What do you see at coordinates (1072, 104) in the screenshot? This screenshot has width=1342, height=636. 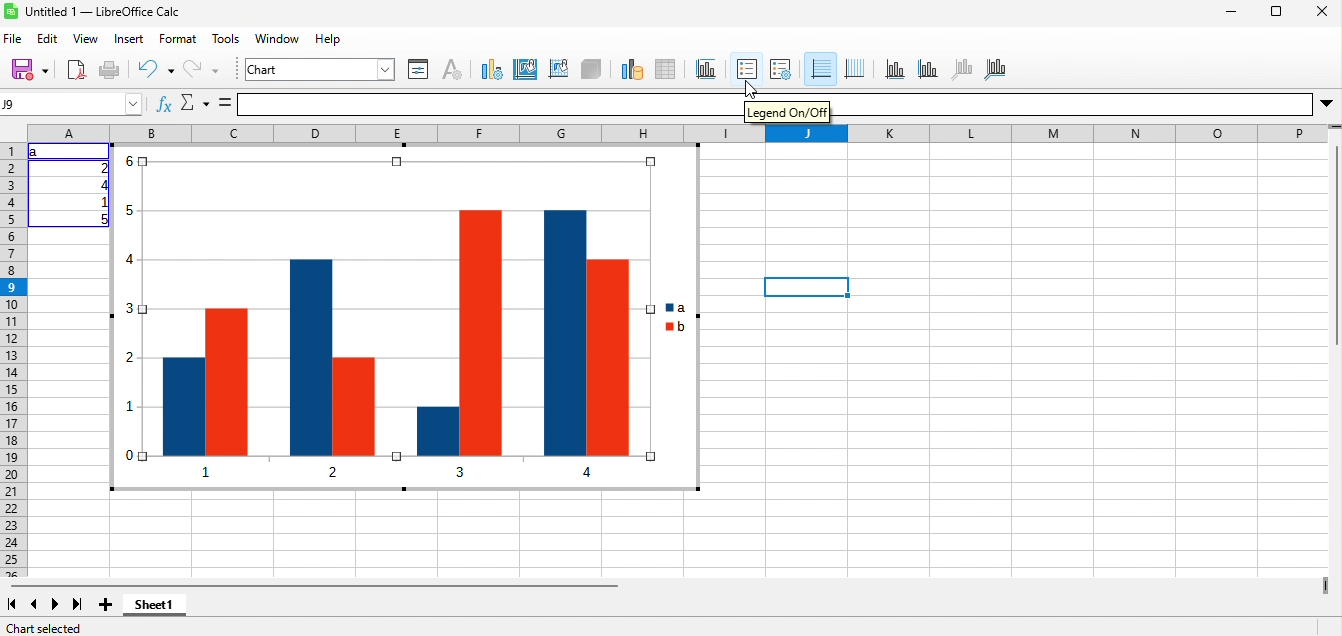 I see `` at bounding box center [1072, 104].